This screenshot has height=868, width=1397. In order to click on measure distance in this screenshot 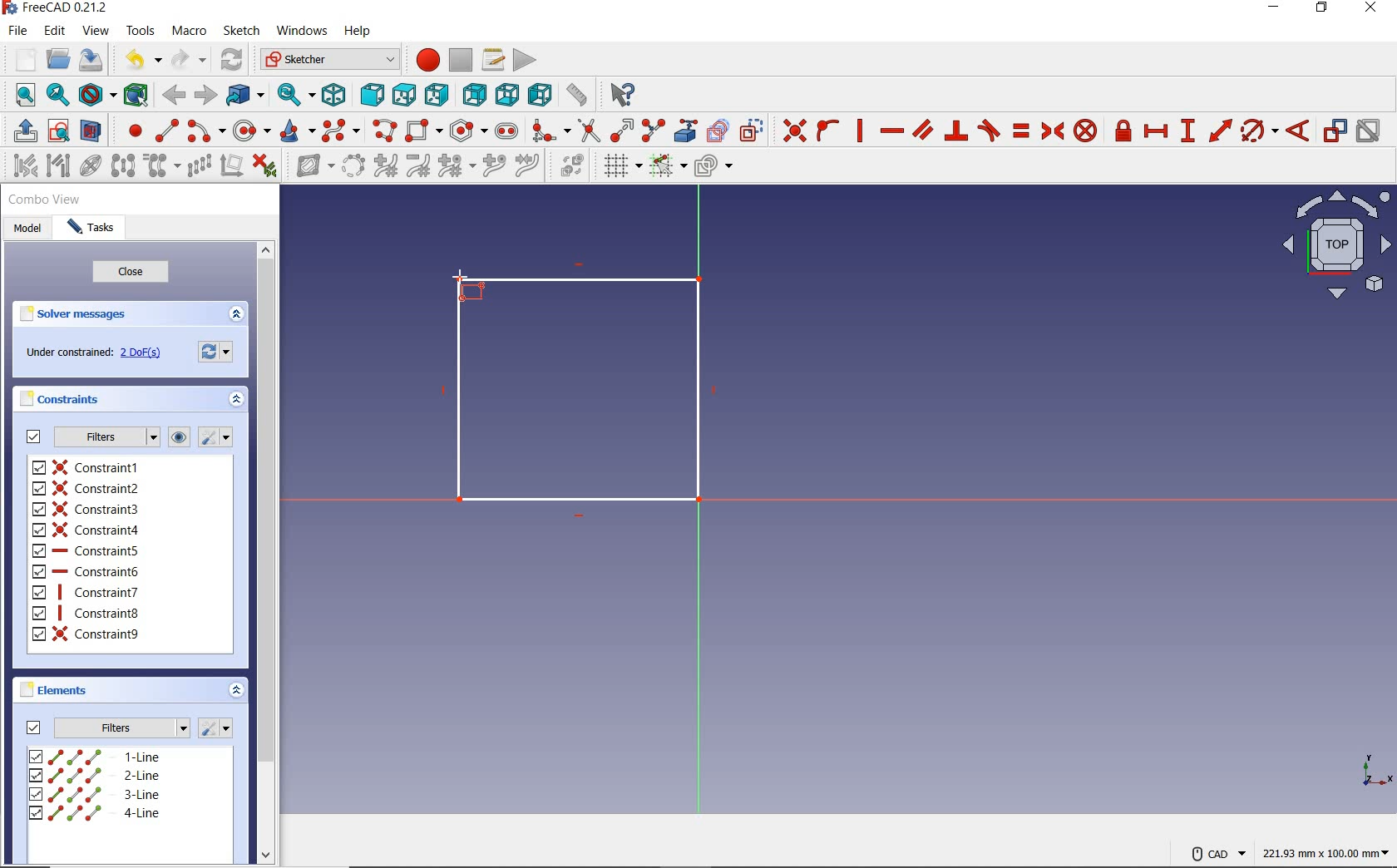, I will do `click(576, 96)`.